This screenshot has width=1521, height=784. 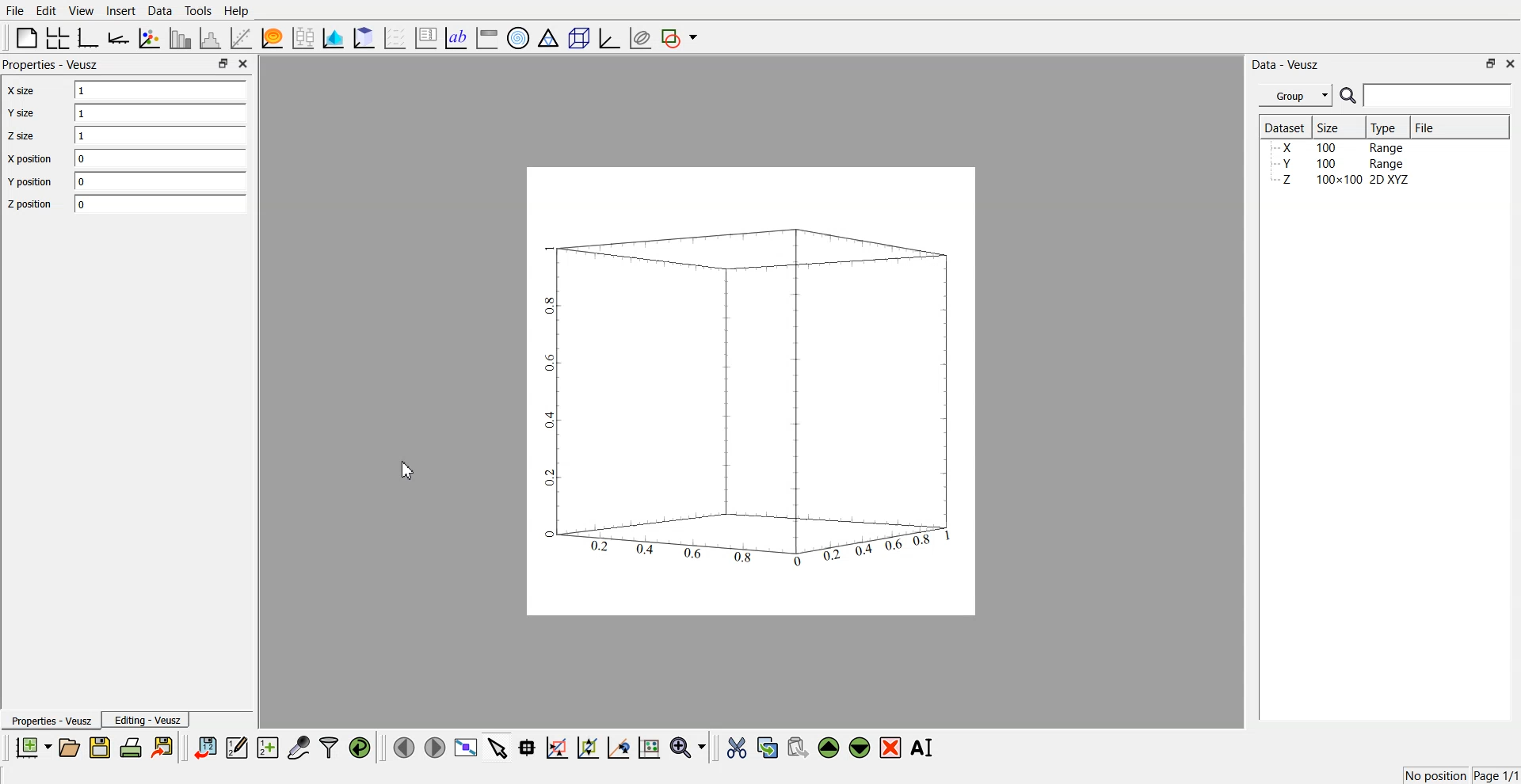 What do you see at coordinates (237, 11) in the screenshot?
I see `Help` at bounding box center [237, 11].